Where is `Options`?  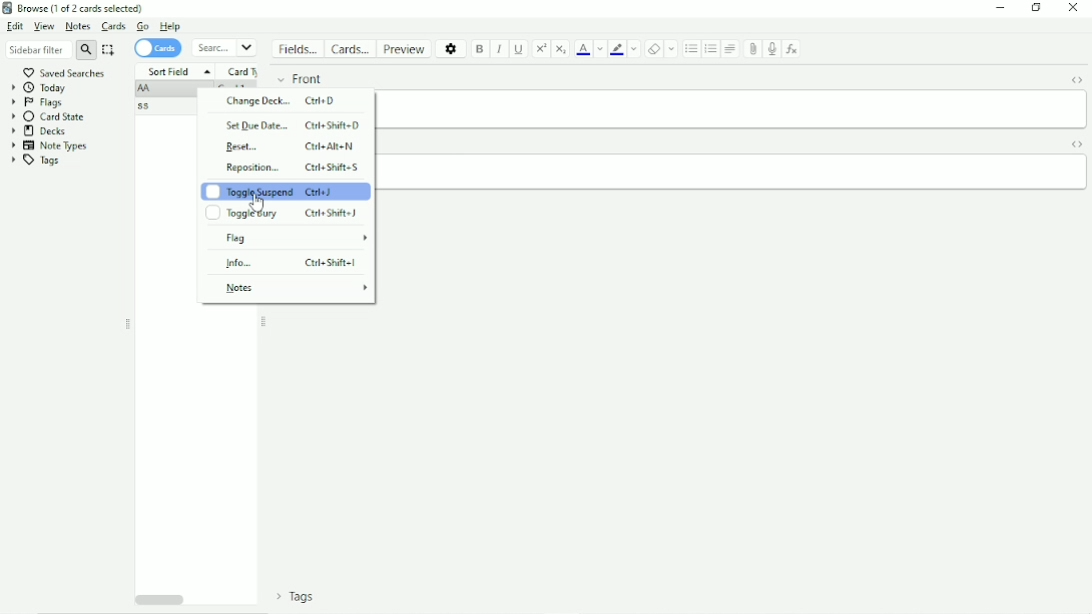
Options is located at coordinates (452, 48).